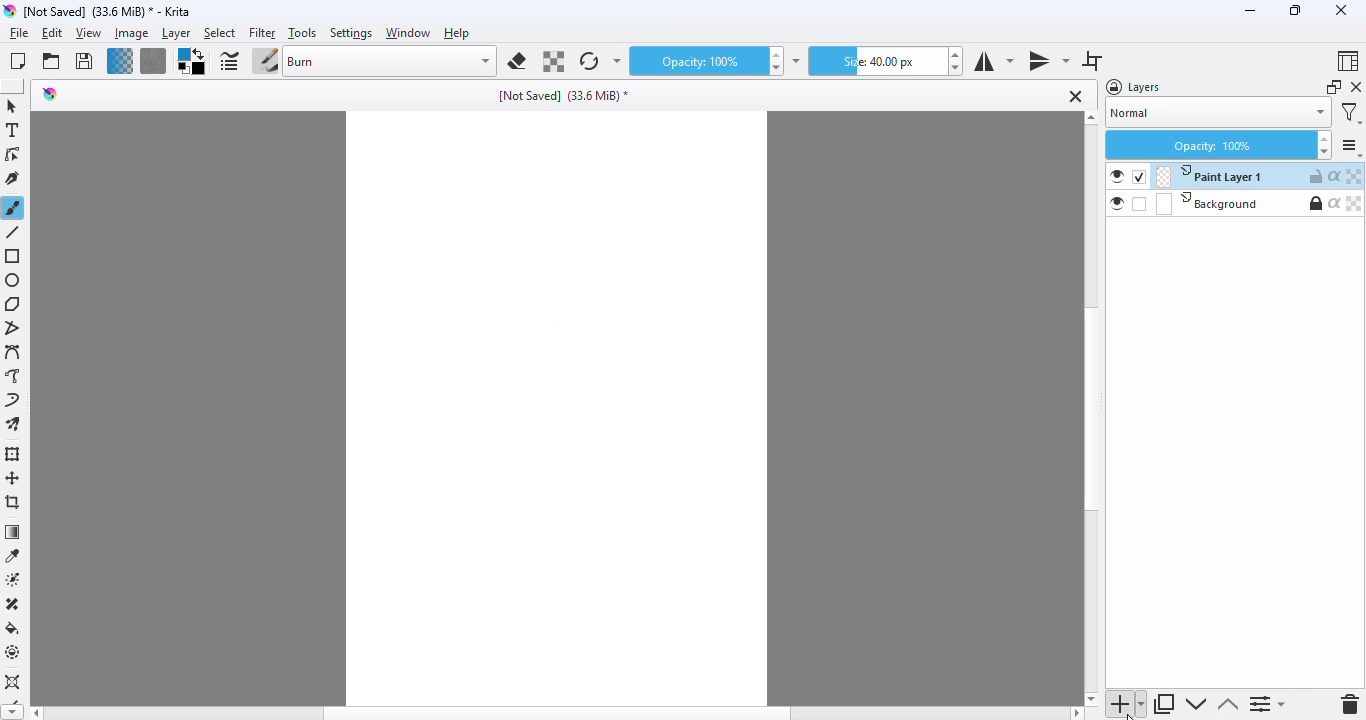 The image size is (1366, 720). What do you see at coordinates (458, 33) in the screenshot?
I see `help` at bounding box center [458, 33].